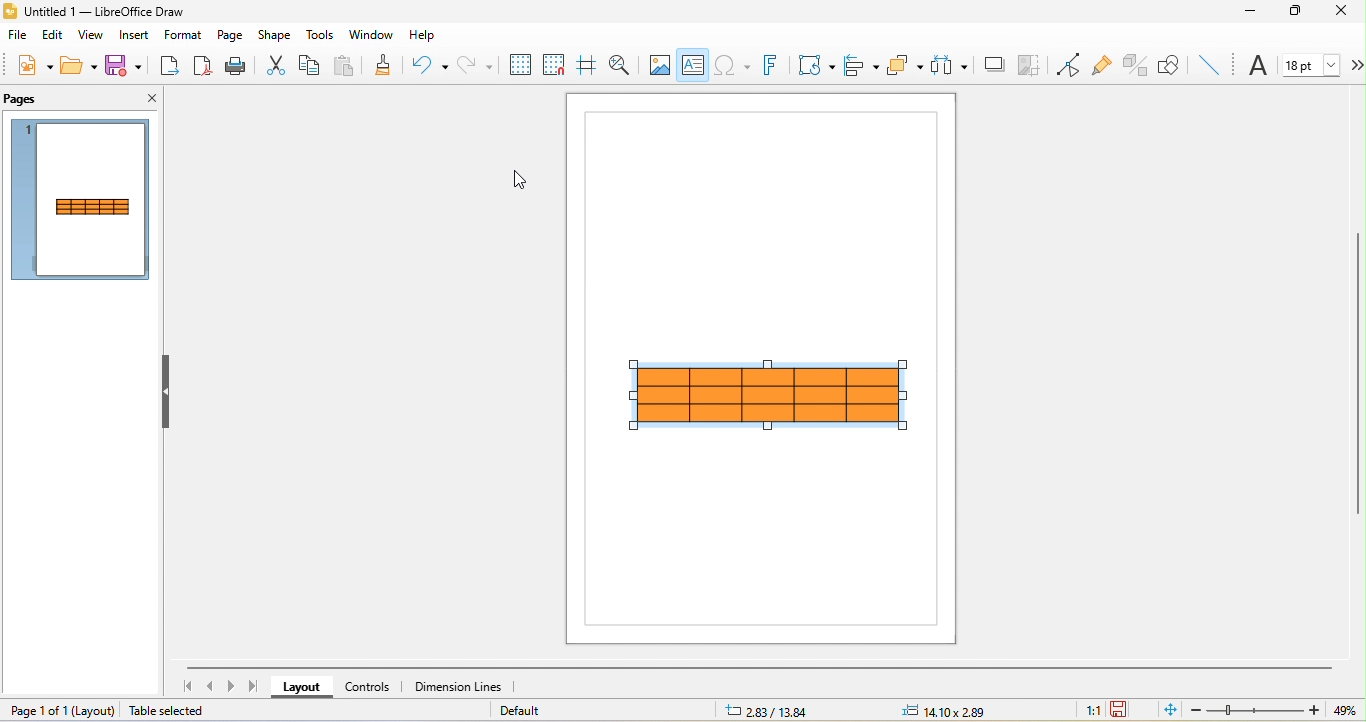 This screenshot has width=1366, height=722. Describe the element at coordinates (51, 34) in the screenshot. I see `edit` at that location.